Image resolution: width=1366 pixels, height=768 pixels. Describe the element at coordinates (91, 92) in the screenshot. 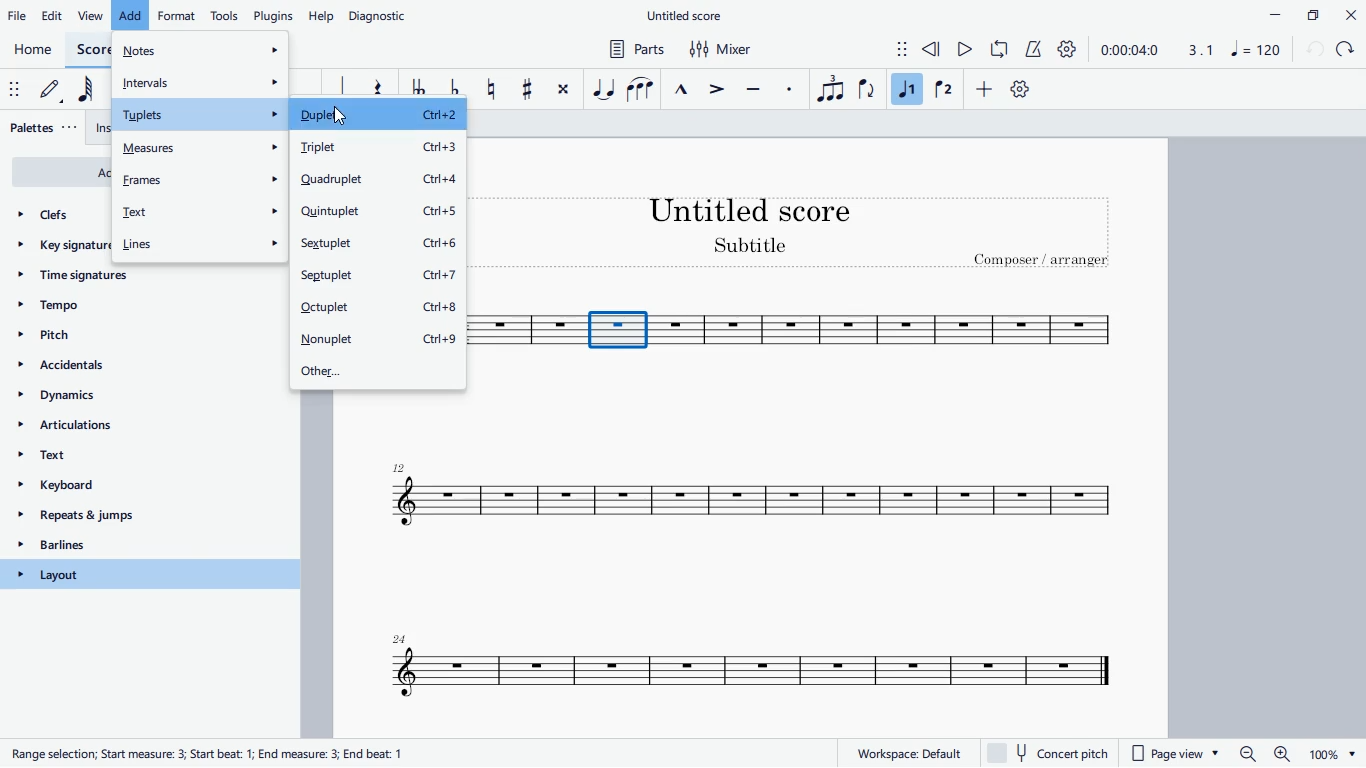

I see `64th note` at that location.